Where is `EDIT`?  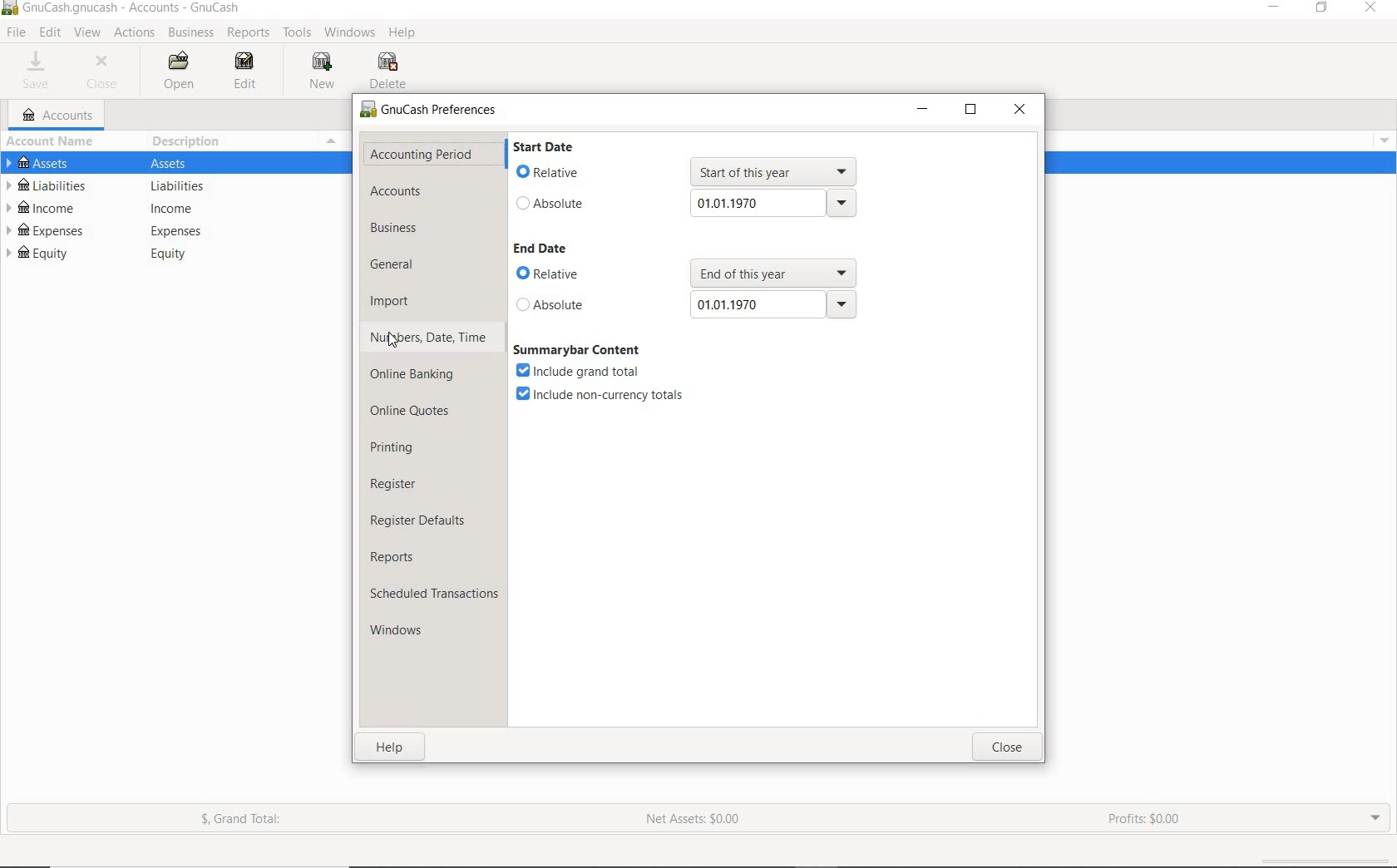
EDIT is located at coordinates (250, 73).